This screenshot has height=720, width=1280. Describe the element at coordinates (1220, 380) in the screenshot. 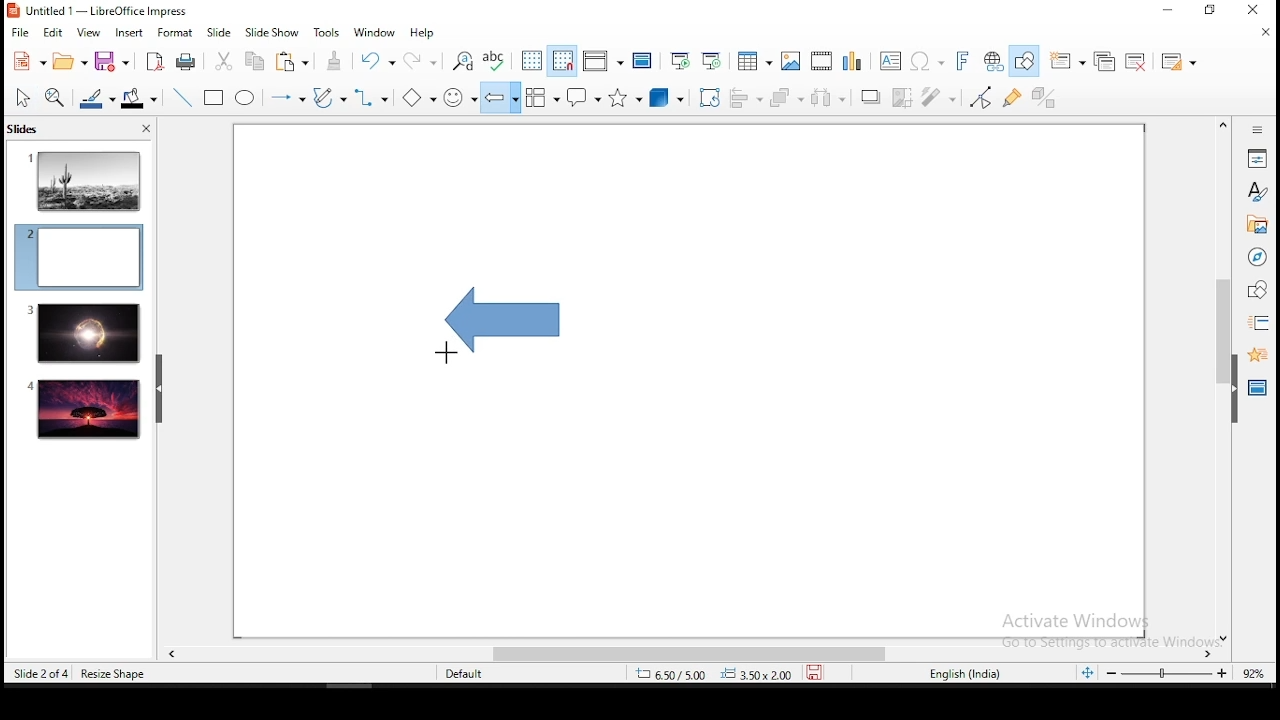

I see `scroll bar` at that location.